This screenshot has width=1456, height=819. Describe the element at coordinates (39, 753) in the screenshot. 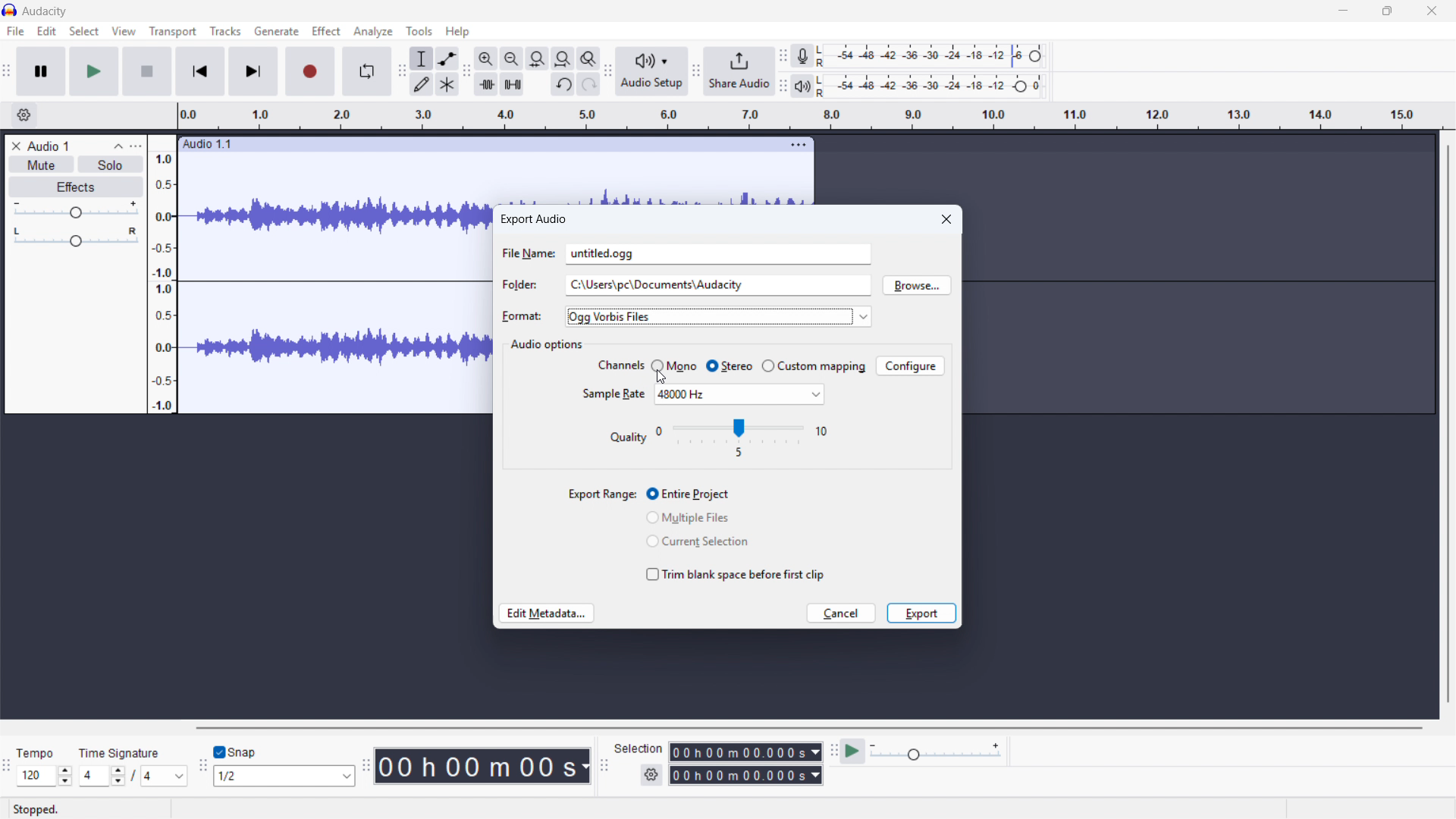

I see `tempo` at that location.